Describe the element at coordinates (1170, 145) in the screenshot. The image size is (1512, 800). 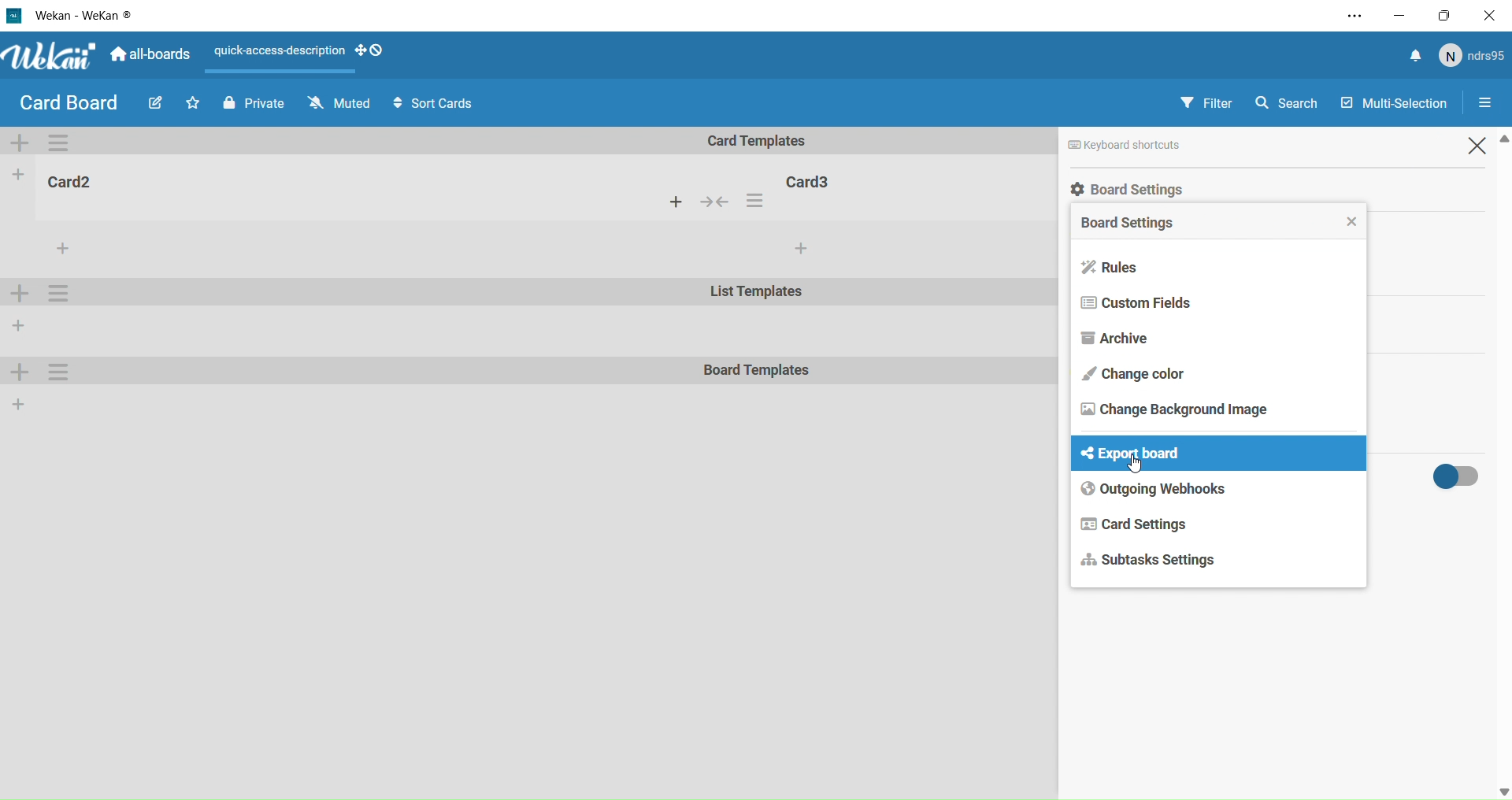
I see `Keyboard Shortcuts` at that location.